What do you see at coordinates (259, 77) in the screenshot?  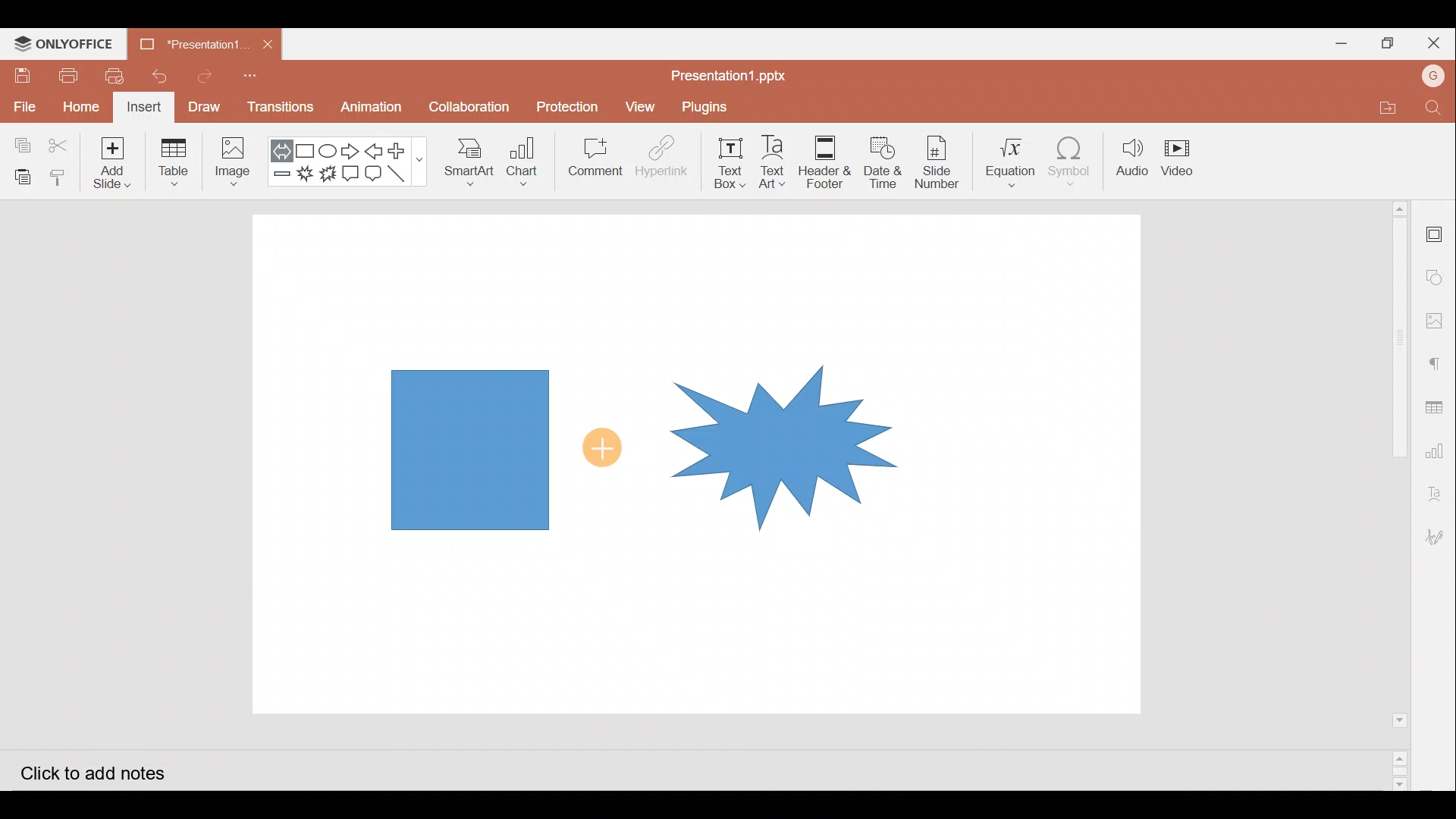 I see `Customize quick access toolbar` at bounding box center [259, 77].